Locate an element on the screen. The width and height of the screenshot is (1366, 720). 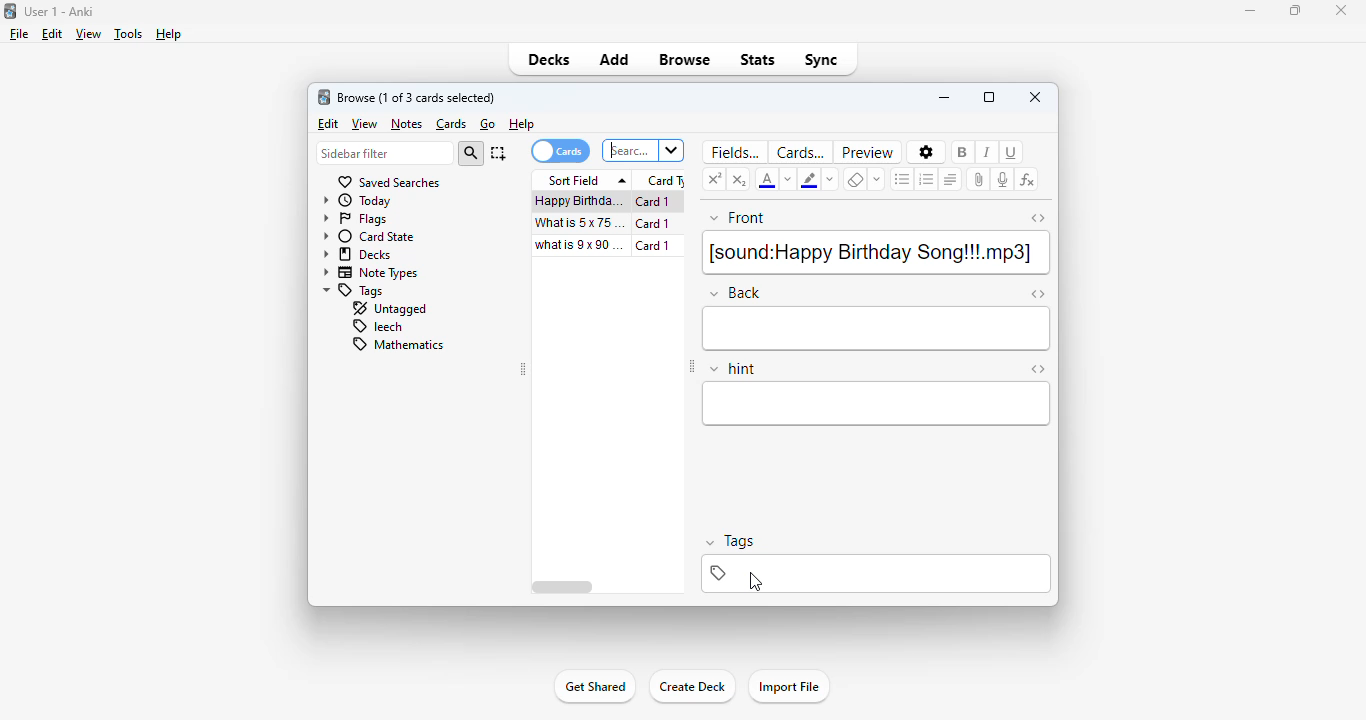
unordered list is located at coordinates (903, 179).